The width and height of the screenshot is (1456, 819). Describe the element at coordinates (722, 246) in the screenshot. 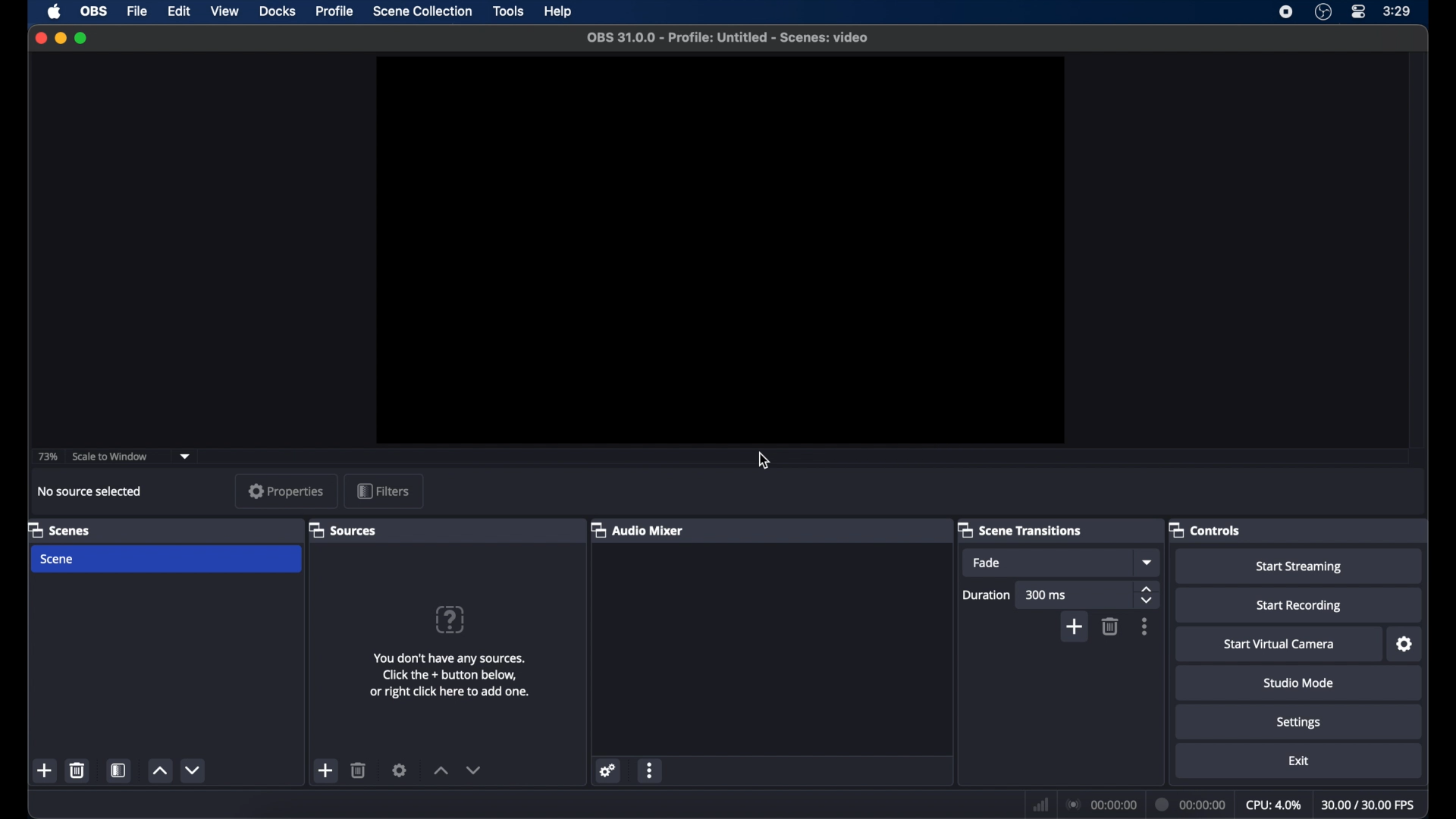

I see `preview` at that location.